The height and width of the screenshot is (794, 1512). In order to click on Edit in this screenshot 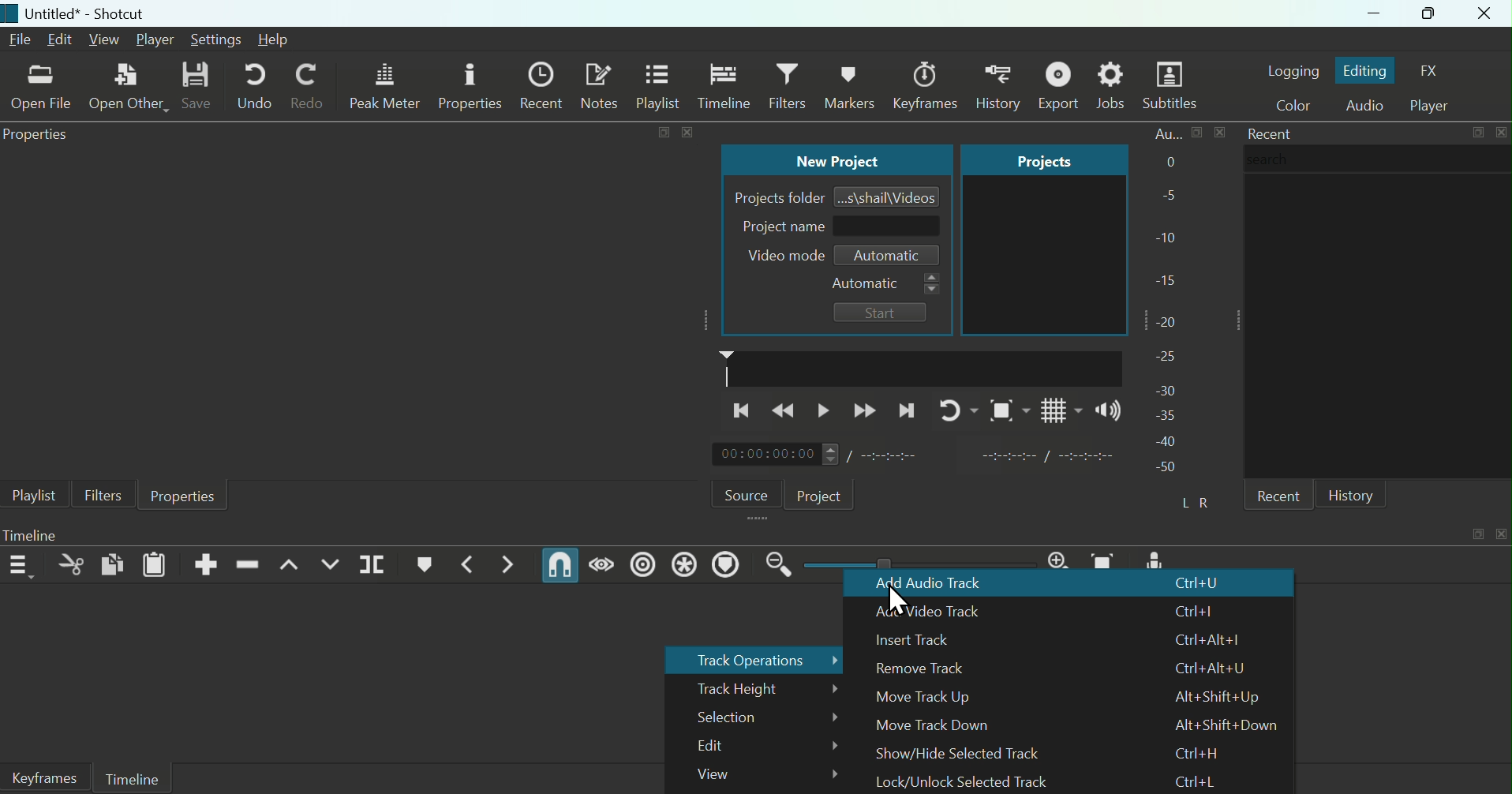, I will do `click(62, 40)`.